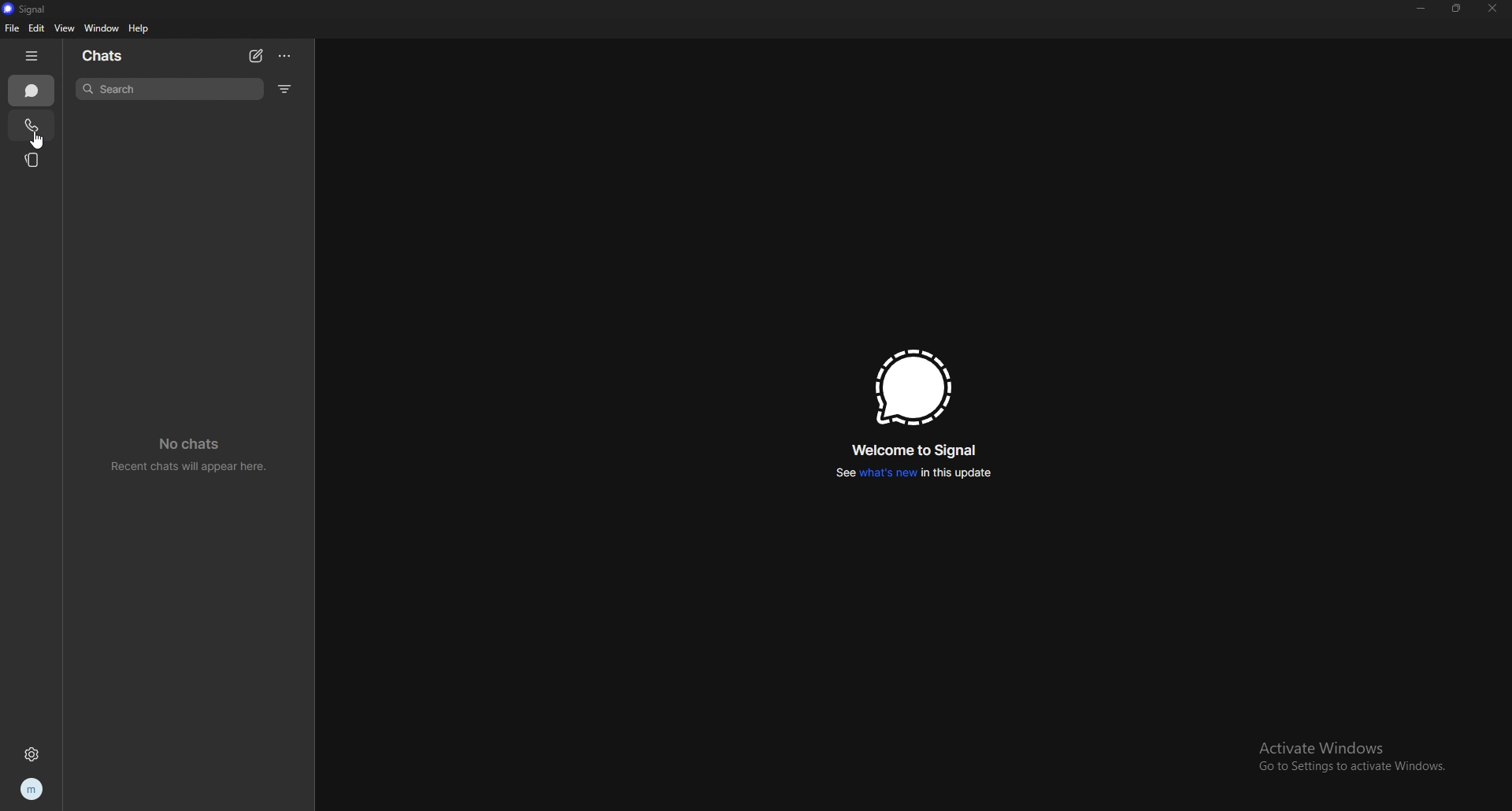  What do you see at coordinates (30, 126) in the screenshot?
I see `calls` at bounding box center [30, 126].